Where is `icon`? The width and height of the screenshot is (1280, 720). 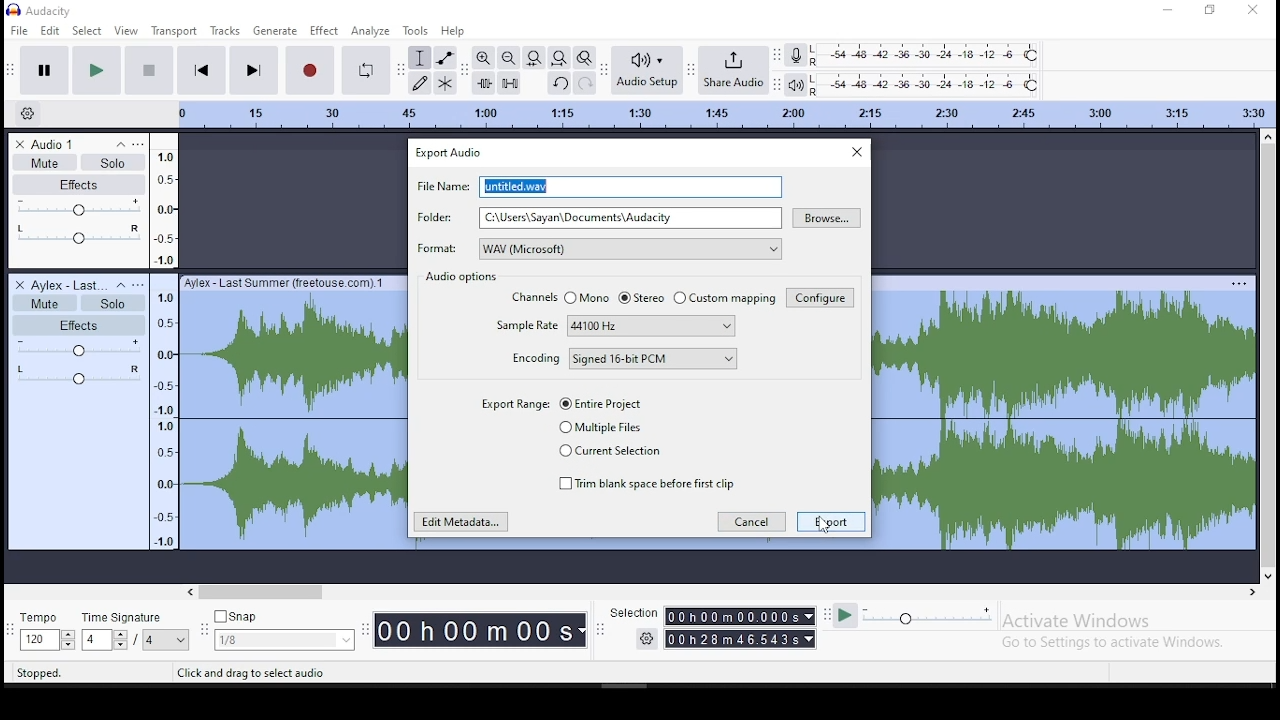
icon is located at coordinates (43, 11).